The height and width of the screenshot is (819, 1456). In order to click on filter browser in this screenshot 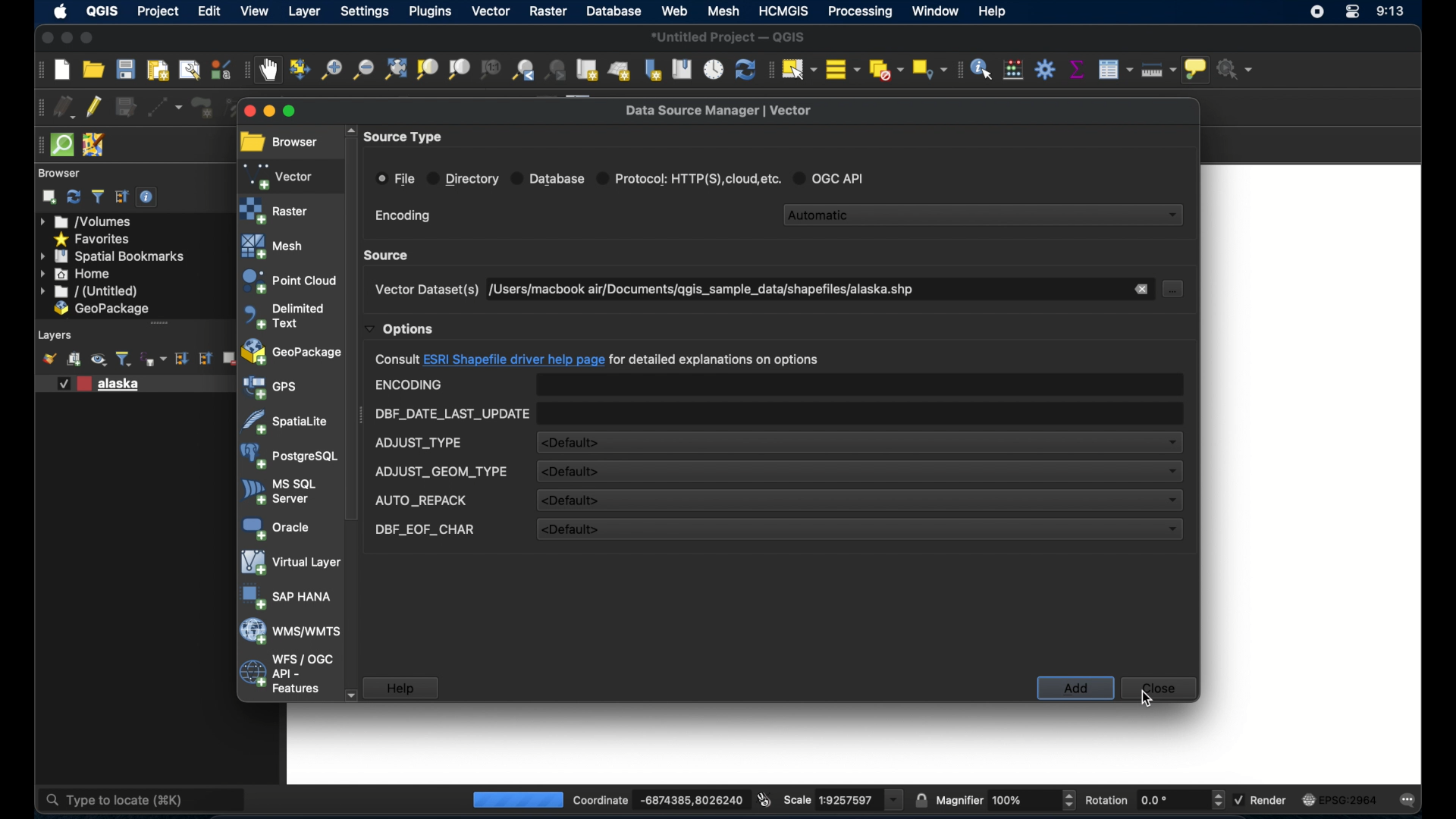, I will do `click(97, 196)`.